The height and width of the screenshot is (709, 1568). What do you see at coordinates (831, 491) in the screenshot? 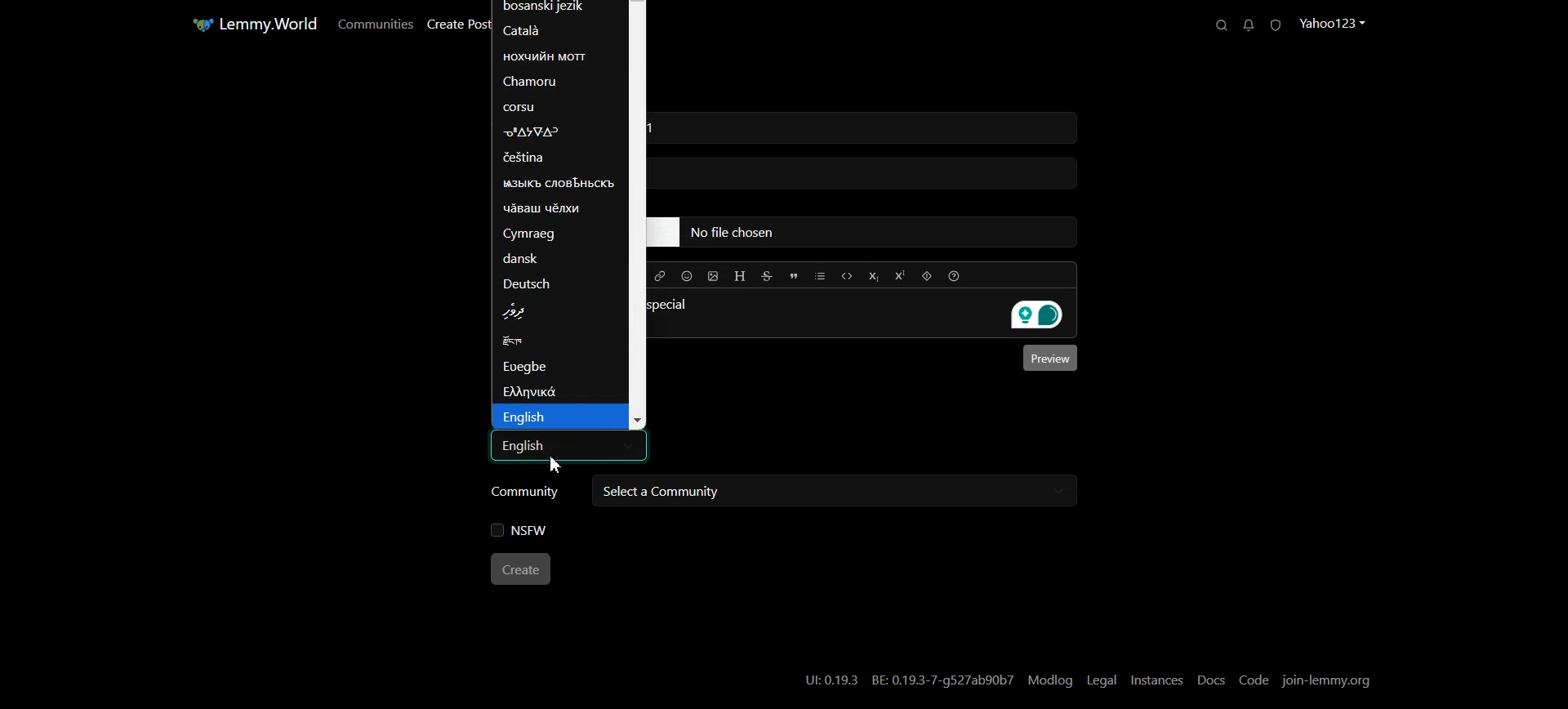
I see `Select a community` at bounding box center [831, 491].